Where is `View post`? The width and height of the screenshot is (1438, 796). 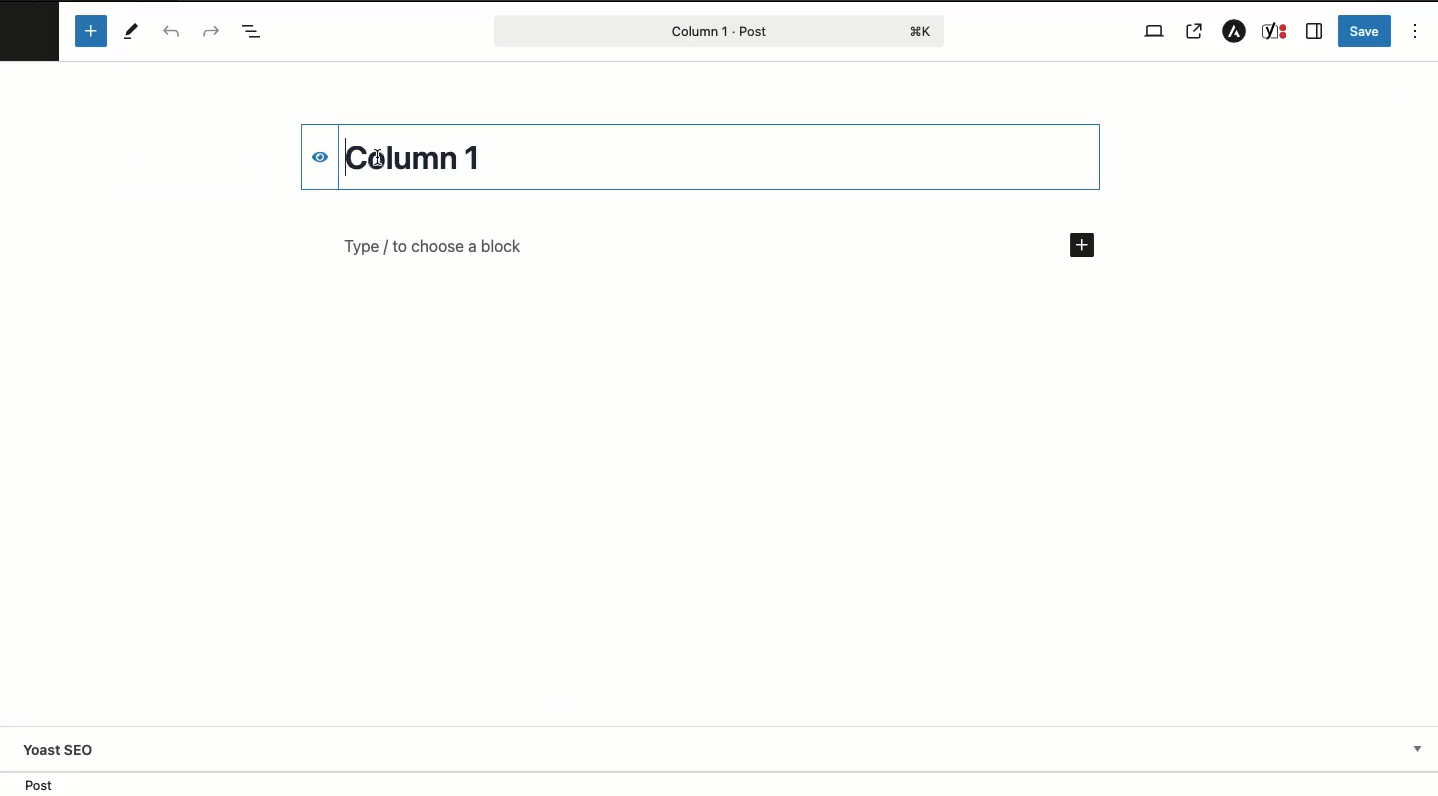 View post is located at coordinates (1197, 31).